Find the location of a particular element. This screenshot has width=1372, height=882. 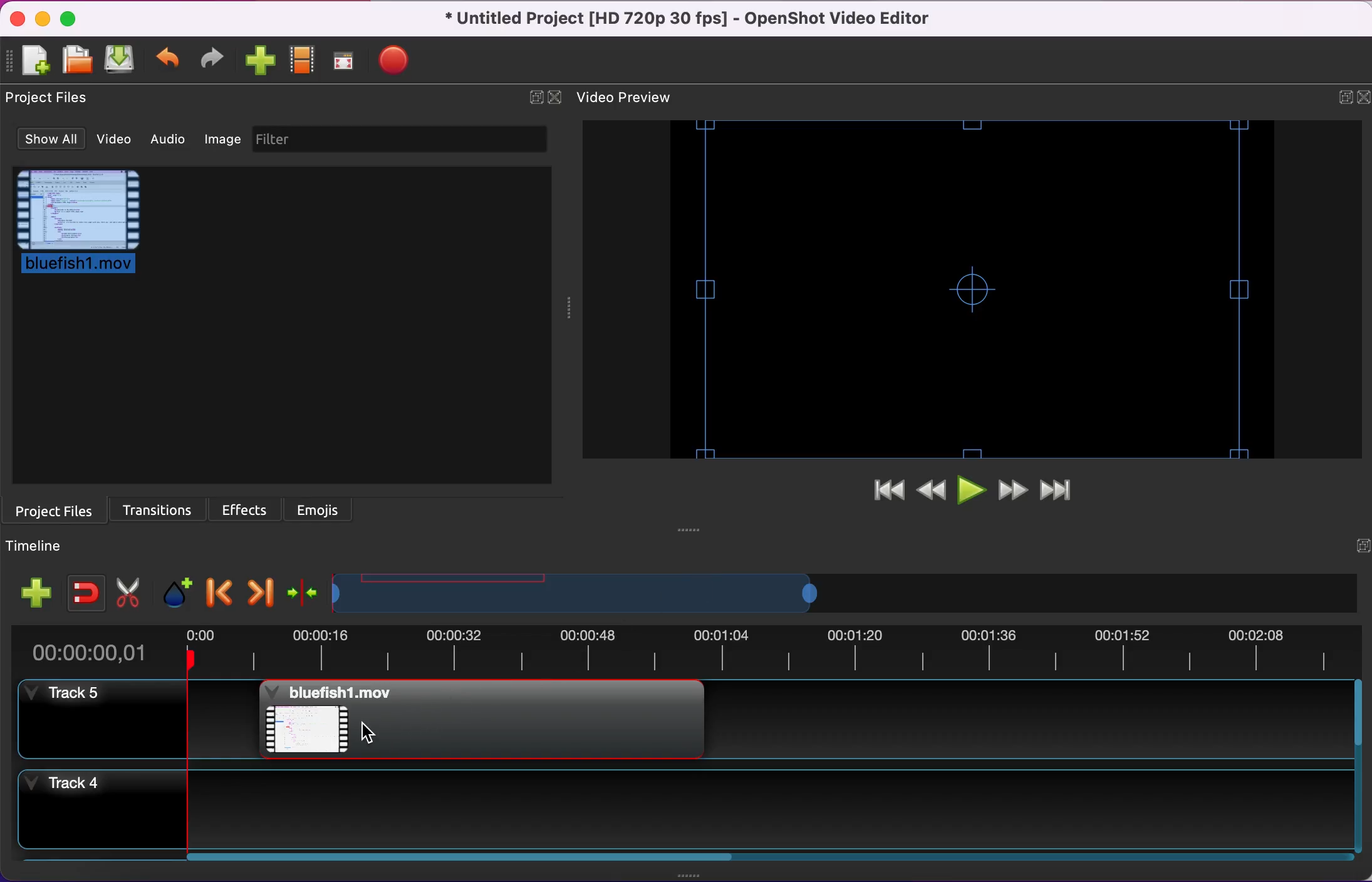

center the timeline is located at coordinates (304, 594).